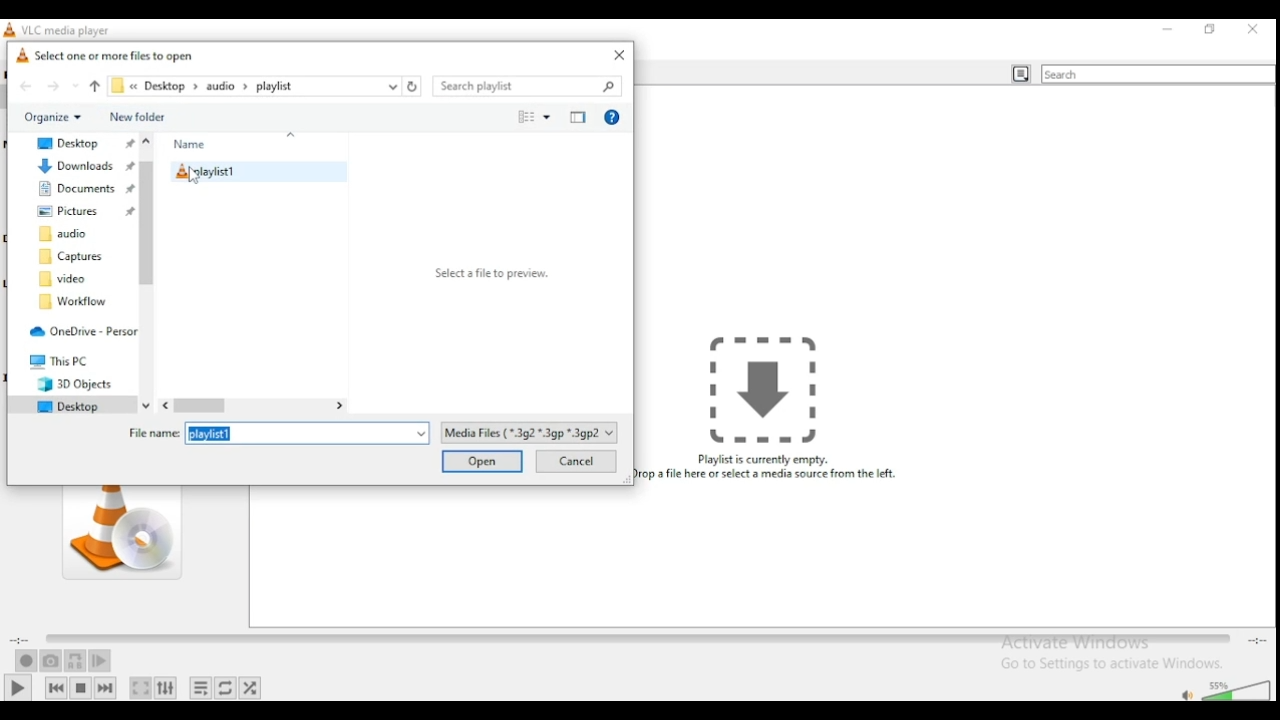 This screenshot has width=1280, height=720. What do you see at coordinates (305, 434) in the screenshot?
I see `playlist1` at bounding box center [305, 434].